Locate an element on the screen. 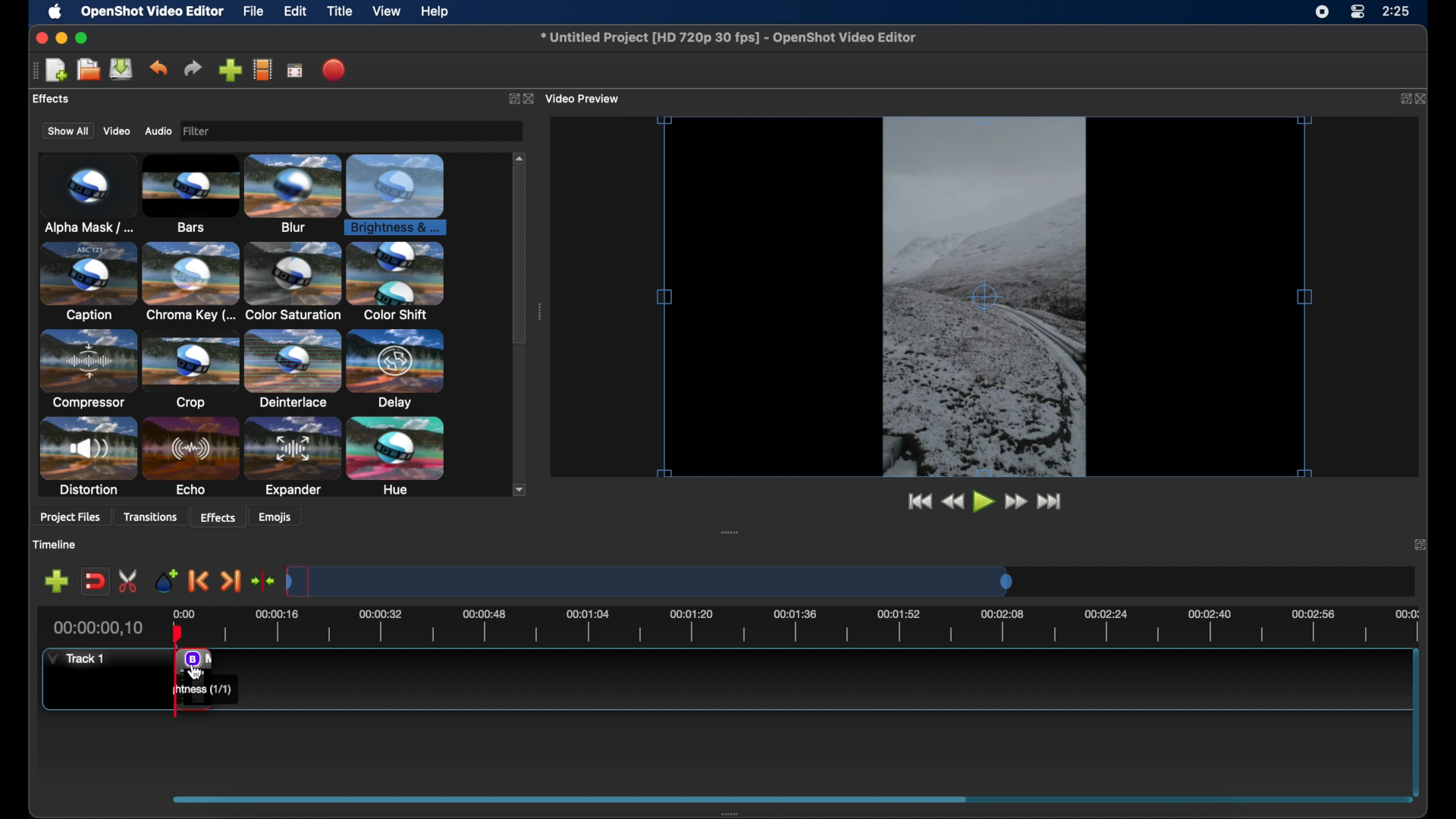  fast for is located at coordinates (1015, 502).